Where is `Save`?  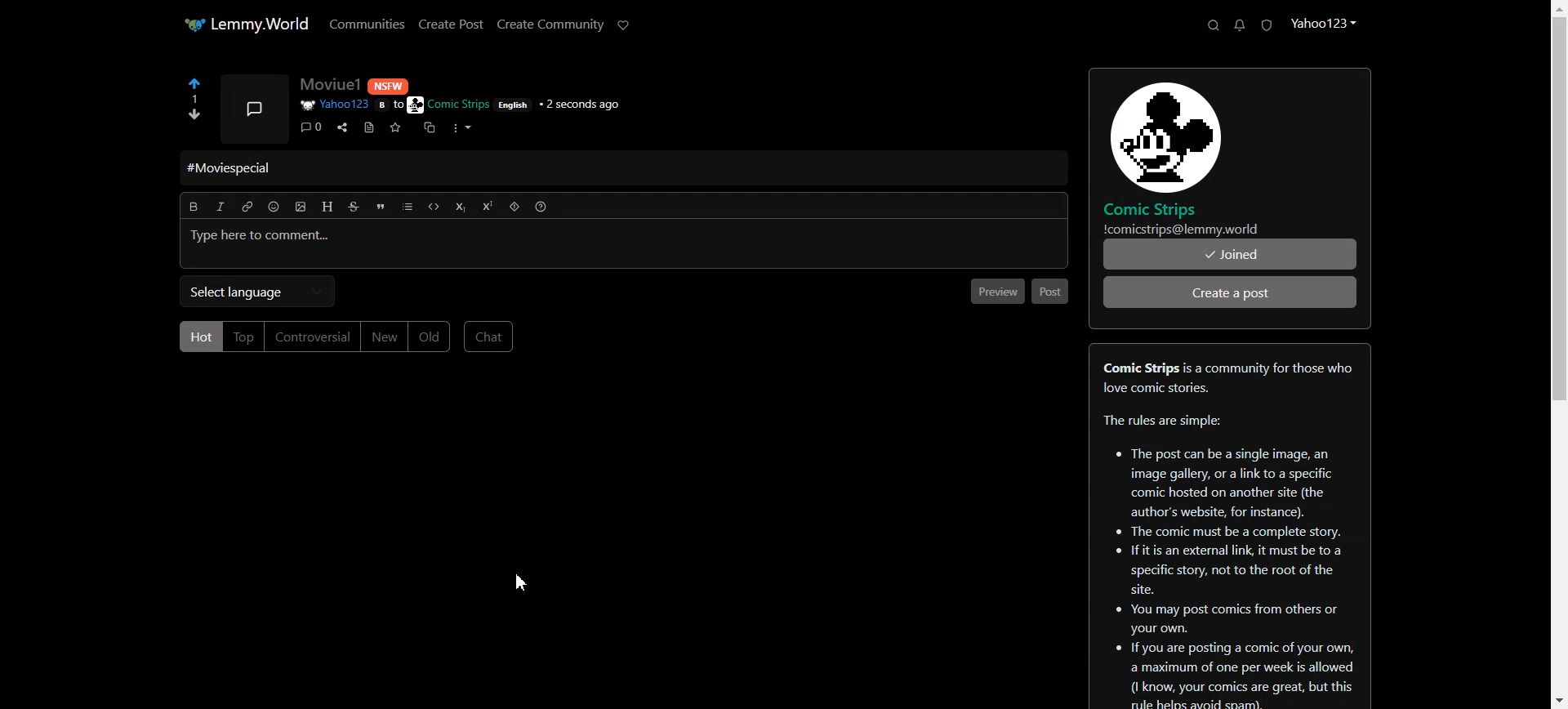
Save is located at coordinates (395, 128).